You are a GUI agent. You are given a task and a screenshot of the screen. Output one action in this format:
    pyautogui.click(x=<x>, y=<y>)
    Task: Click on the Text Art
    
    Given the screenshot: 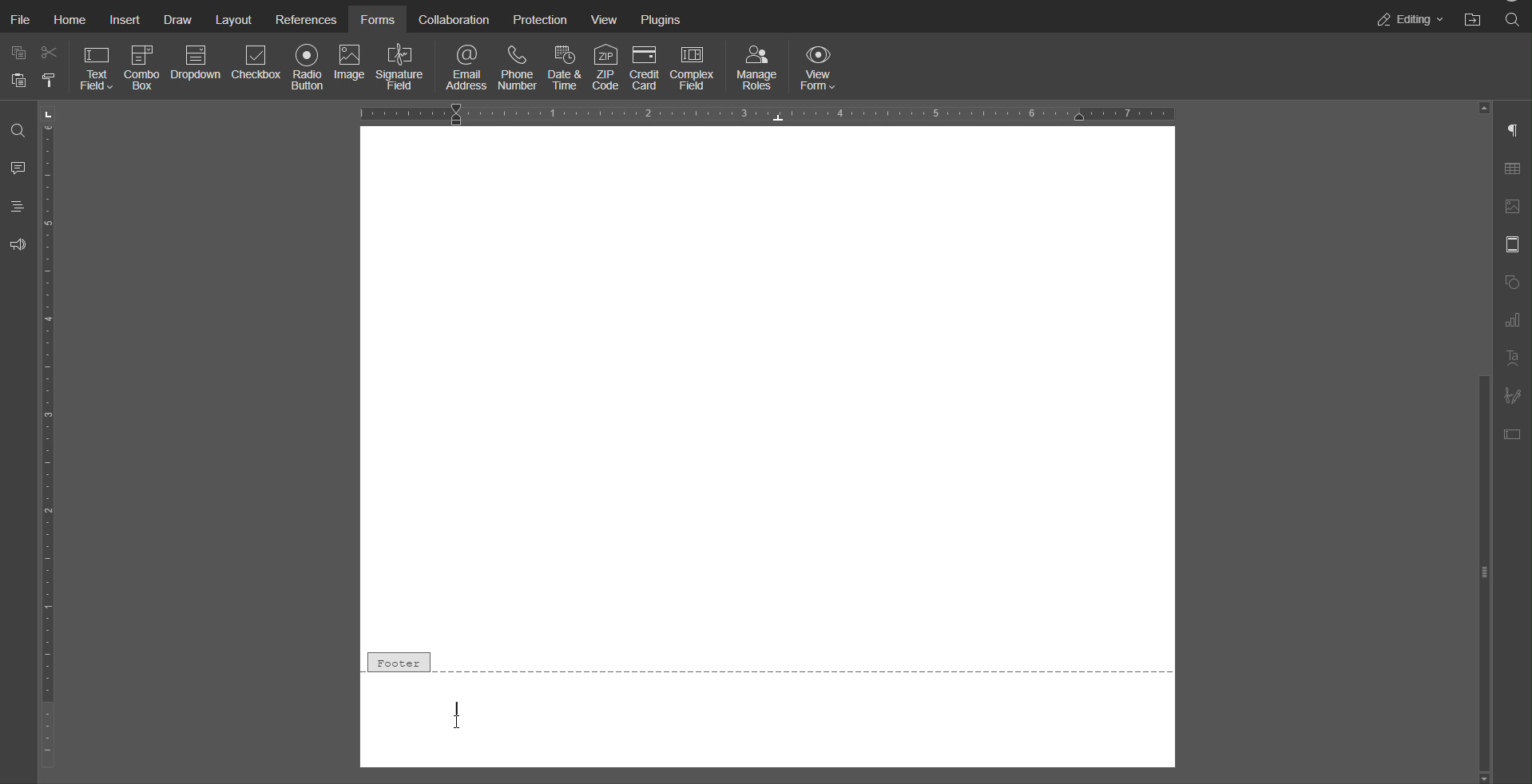 What is the action you would take?
    pyautogui.click(x=1512, y=360)
    